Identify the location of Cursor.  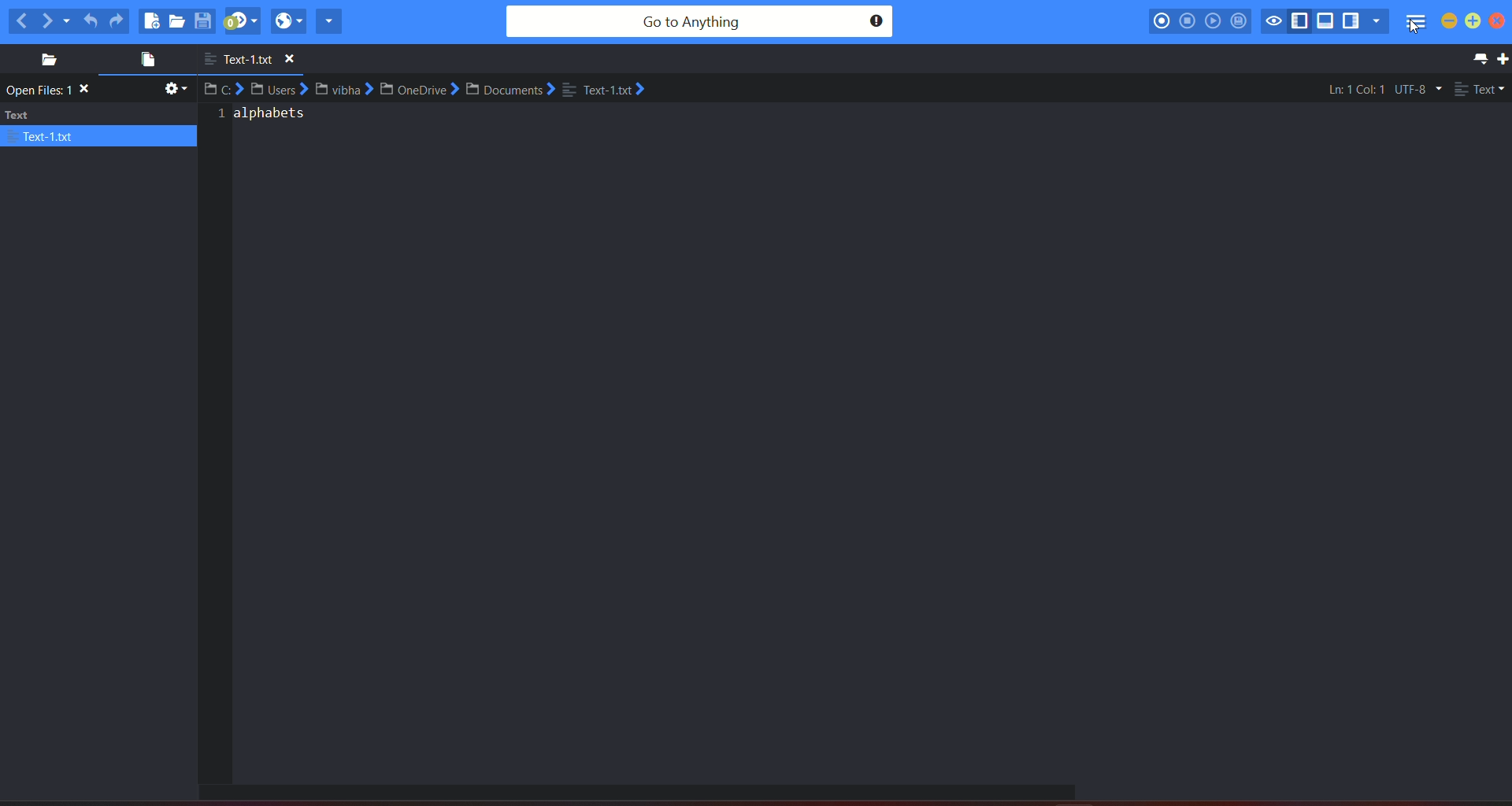
(1417, 24).